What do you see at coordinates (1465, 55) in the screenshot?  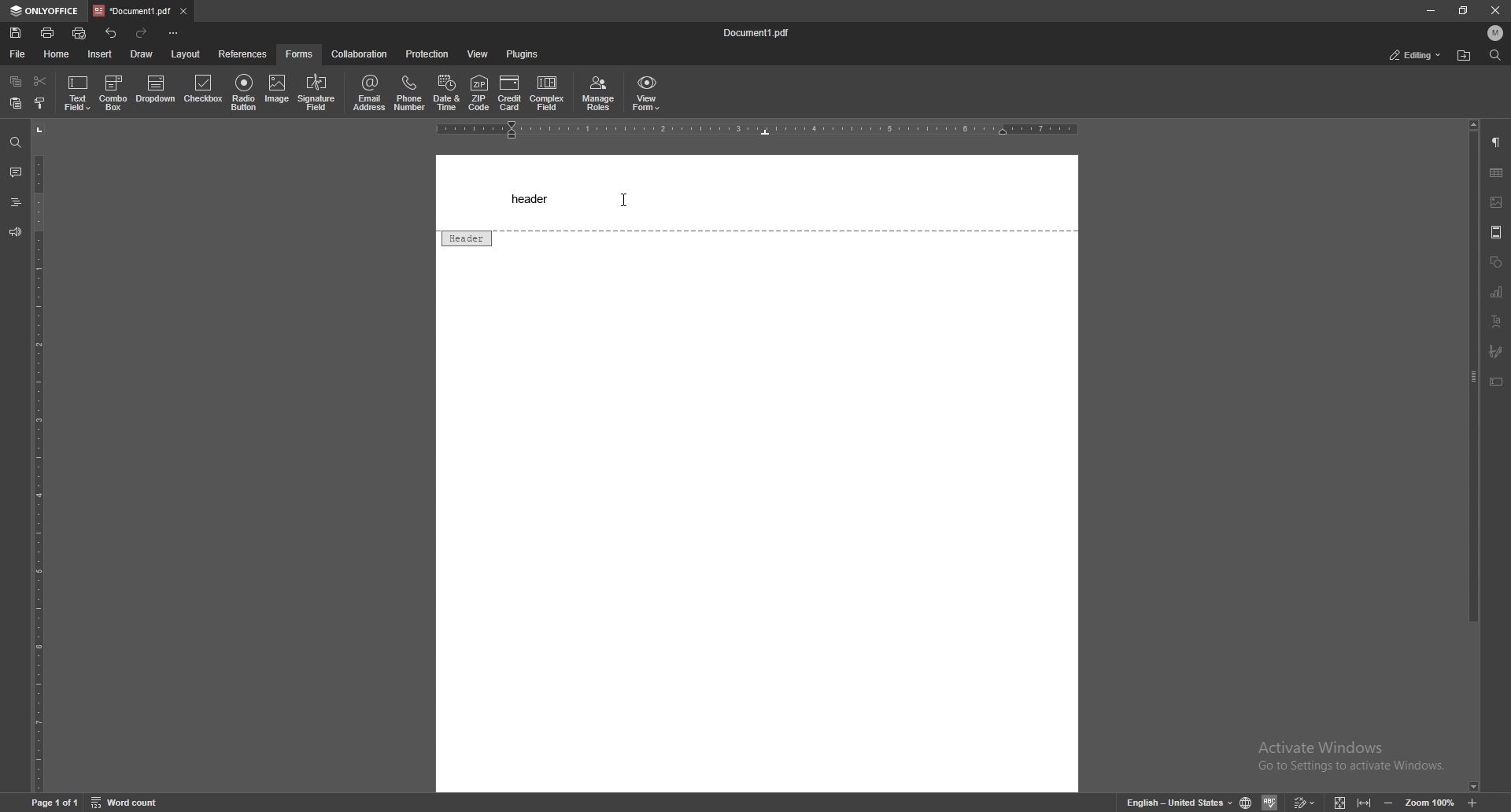 I see `find location` at bounding box center [1465, 55].